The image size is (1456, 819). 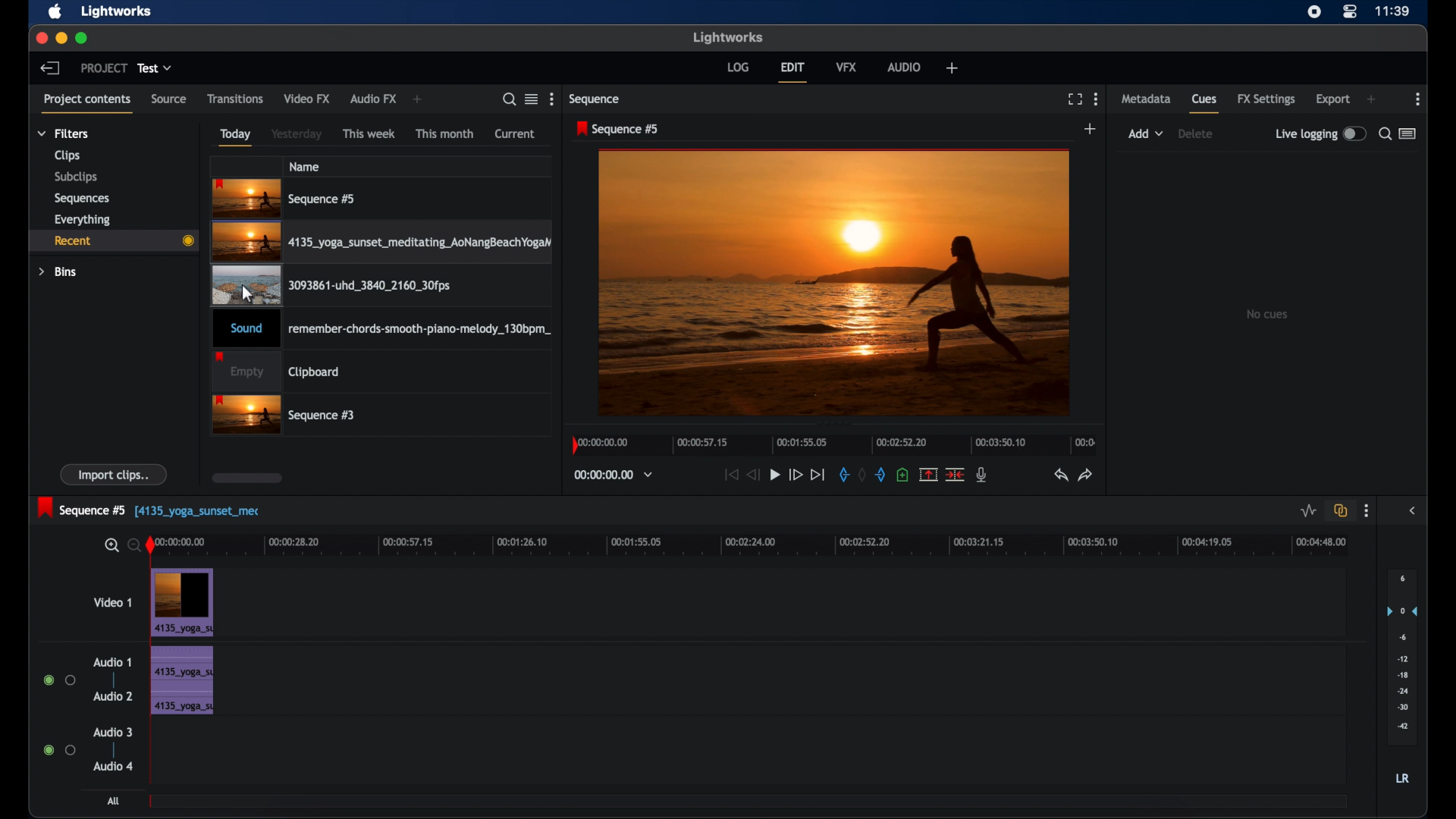 I want to click on search, so click(x=510, y=100).